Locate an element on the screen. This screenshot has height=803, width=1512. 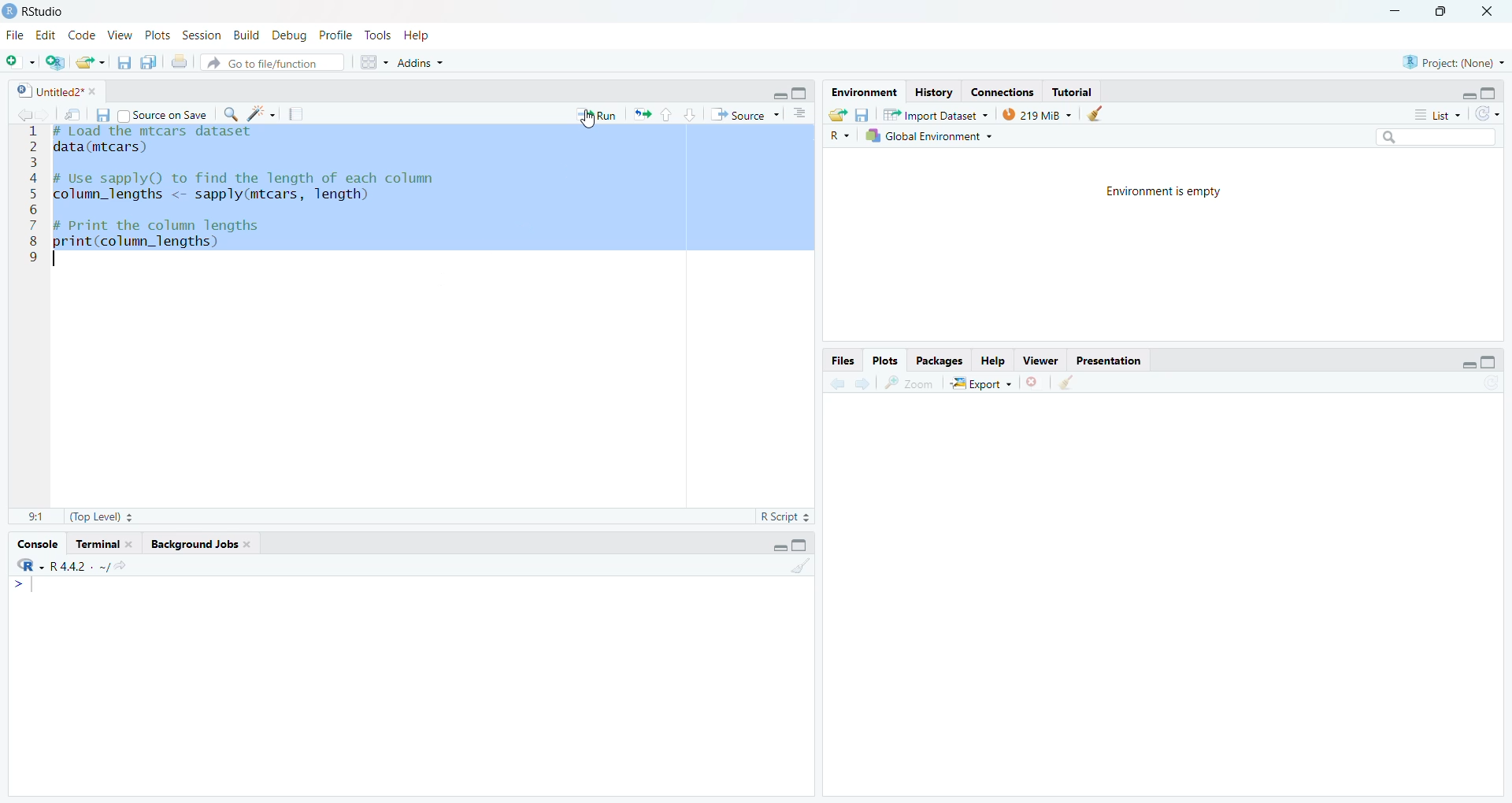
Go to previous source location is located at coordinates (20, 116).